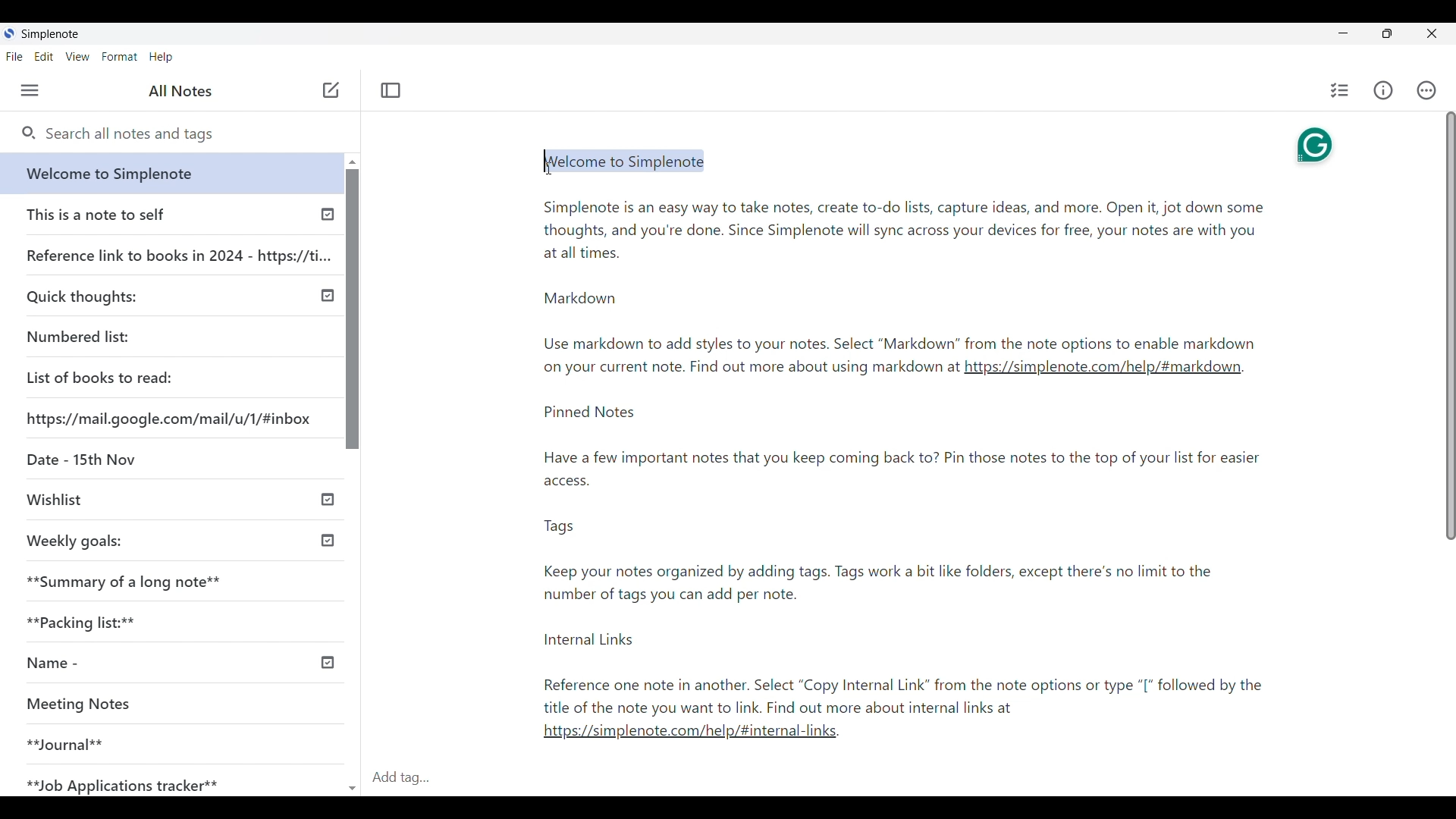 The height and width of the screenshot is (819, 1456). What do you see at coordinates (902, 271) in the screenshot?
I see `Current note text` at bounding box center [902, 271].